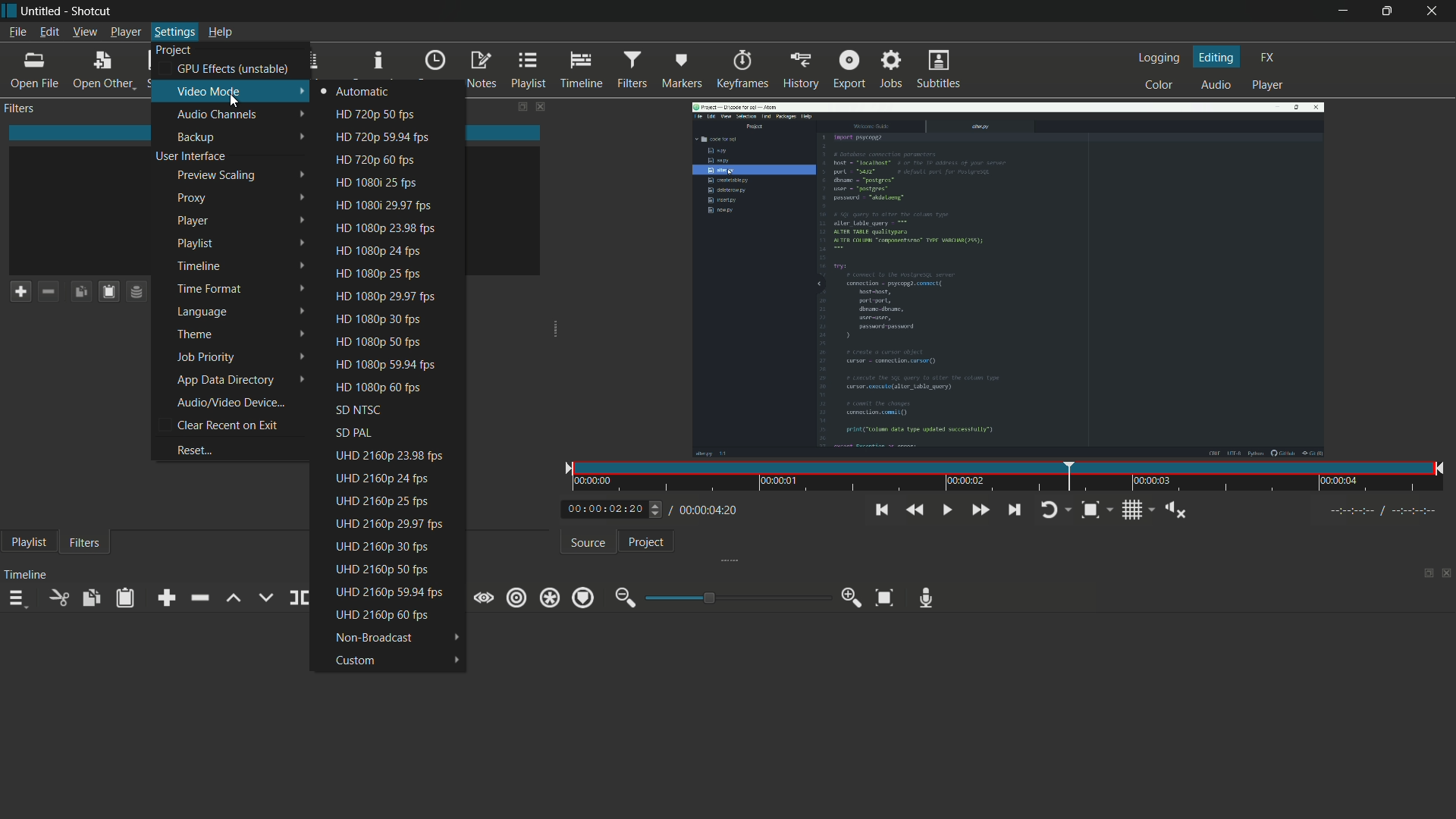 This screenshot has height=819, width=1456. What do you see at coordinates (623, 598) in the screenshot?
I see `zoom out` at bounding box center [623, 598].